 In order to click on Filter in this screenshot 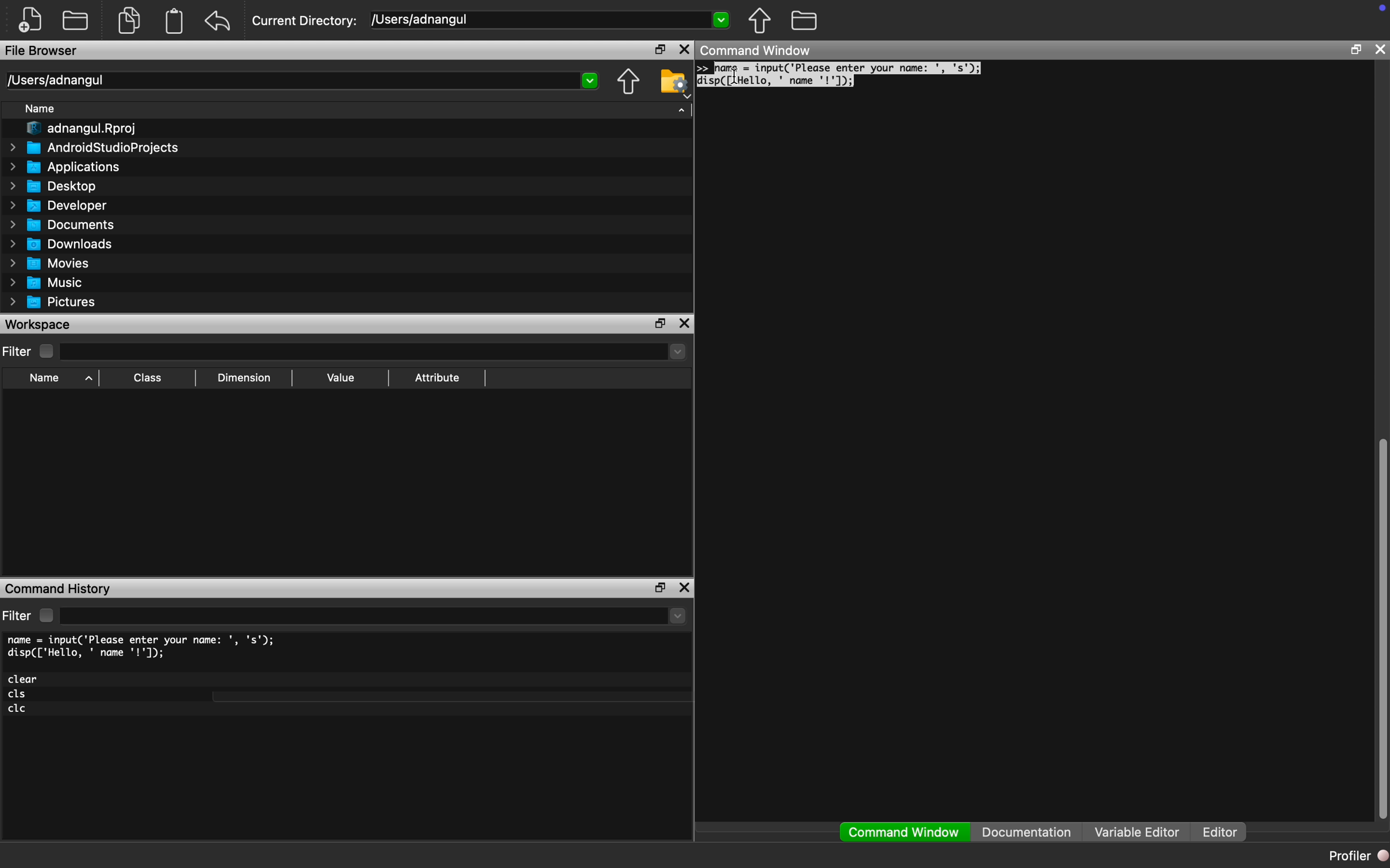, I will do `click(30, 615)`.